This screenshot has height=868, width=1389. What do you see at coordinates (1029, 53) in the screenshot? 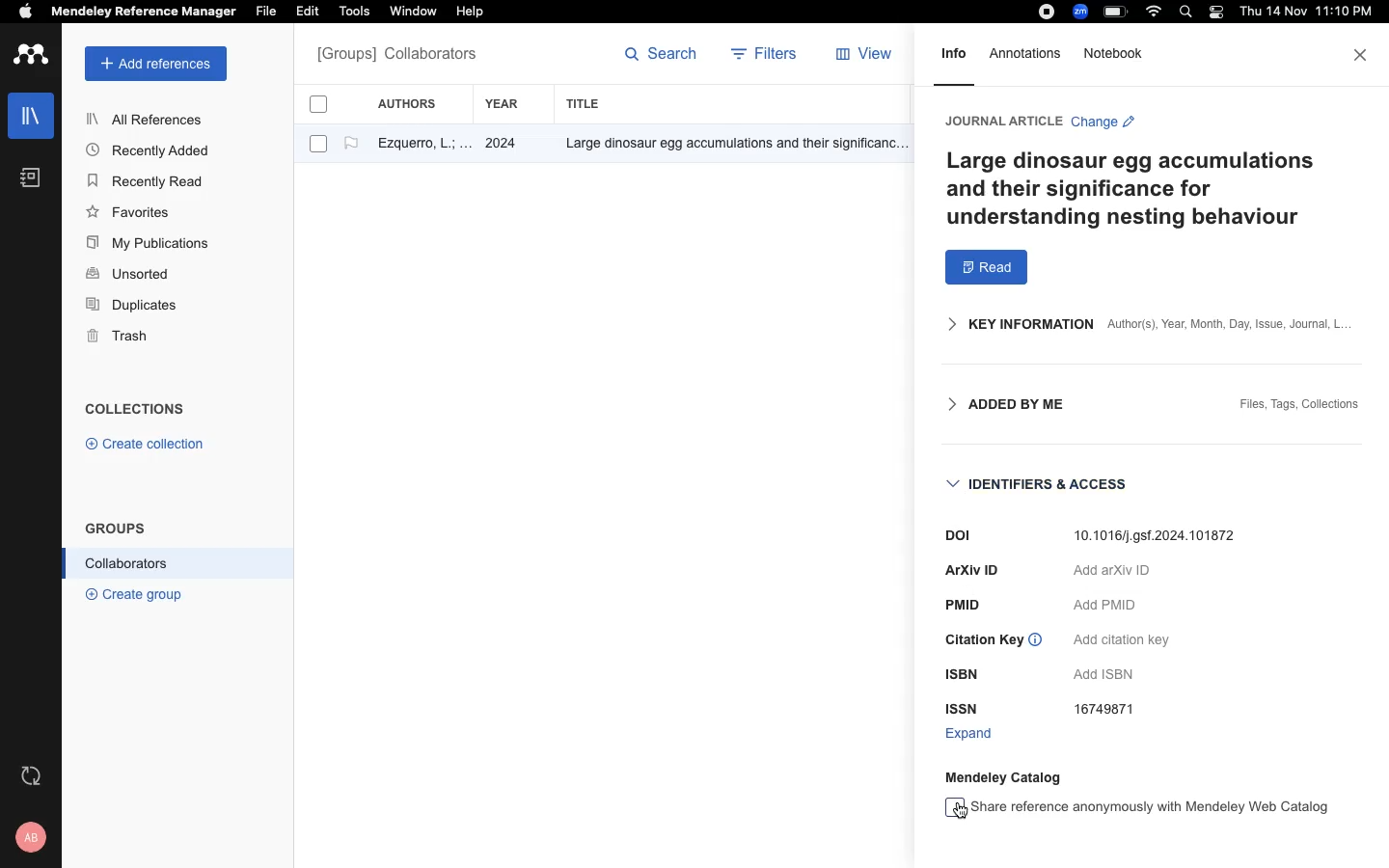
I see `annotations` at bounding box center [1029, 53].